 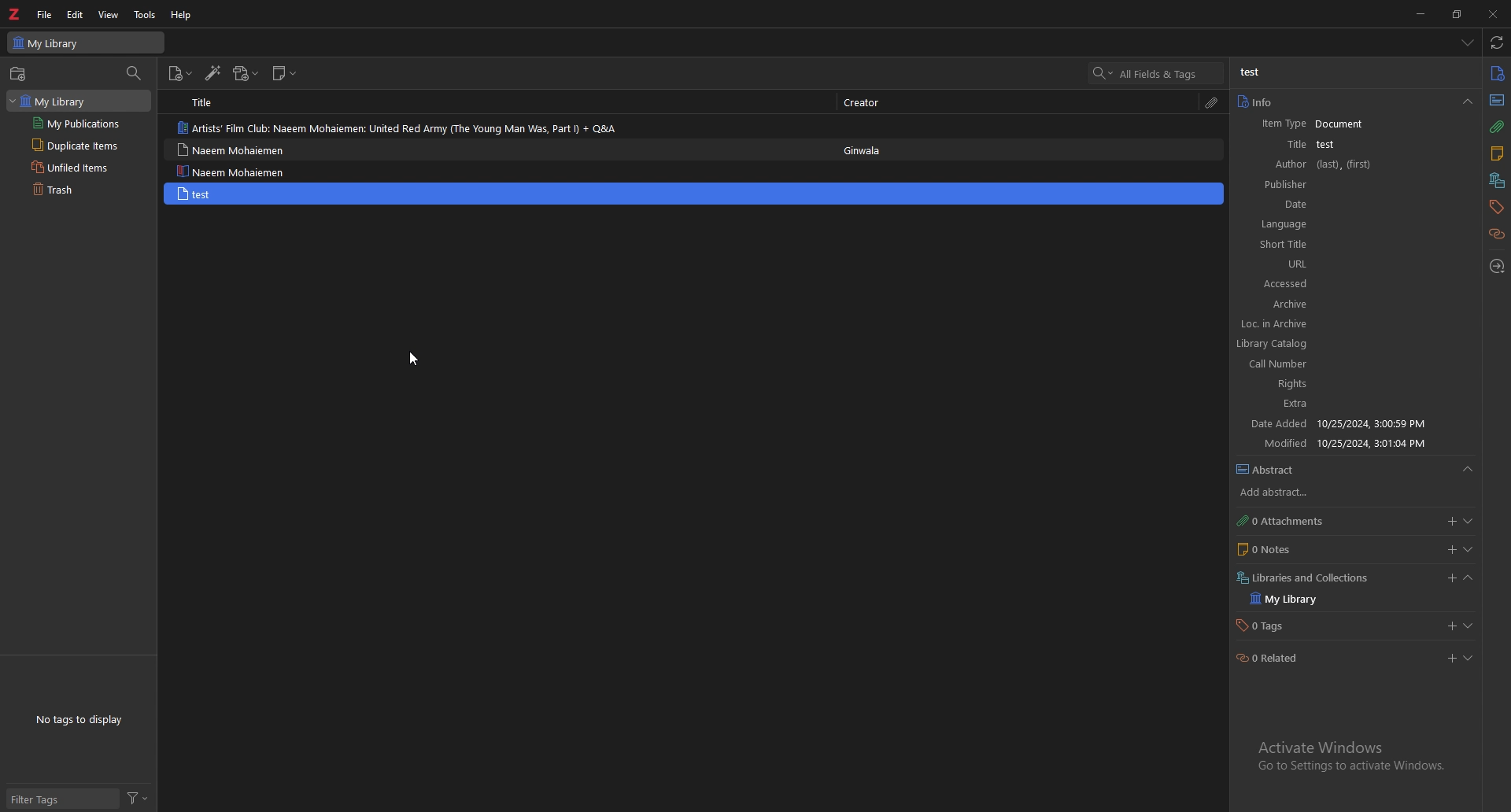 I want to click on no tags to display, so click(x=78, y=719).